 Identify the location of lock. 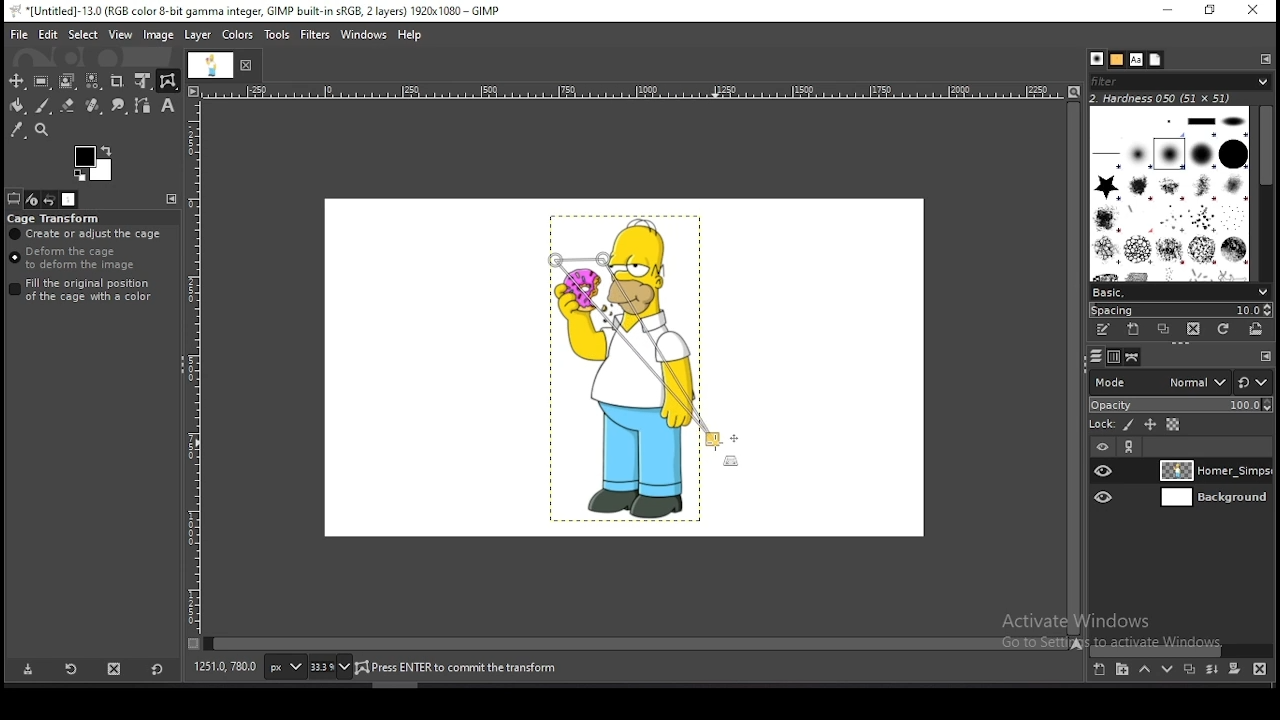
(1100, 425).